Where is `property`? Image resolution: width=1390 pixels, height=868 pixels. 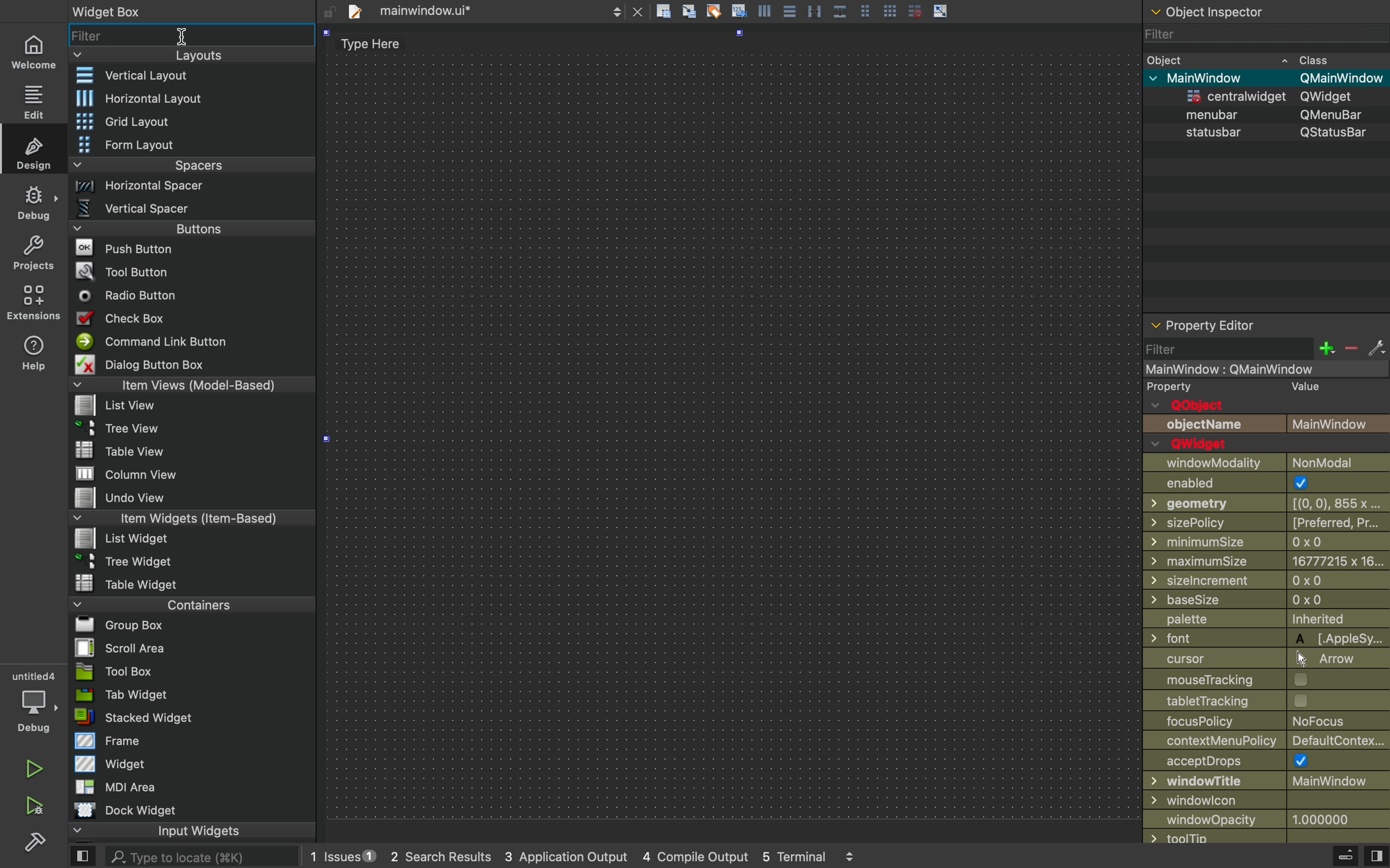
property is located at coordinates (1171, 387).